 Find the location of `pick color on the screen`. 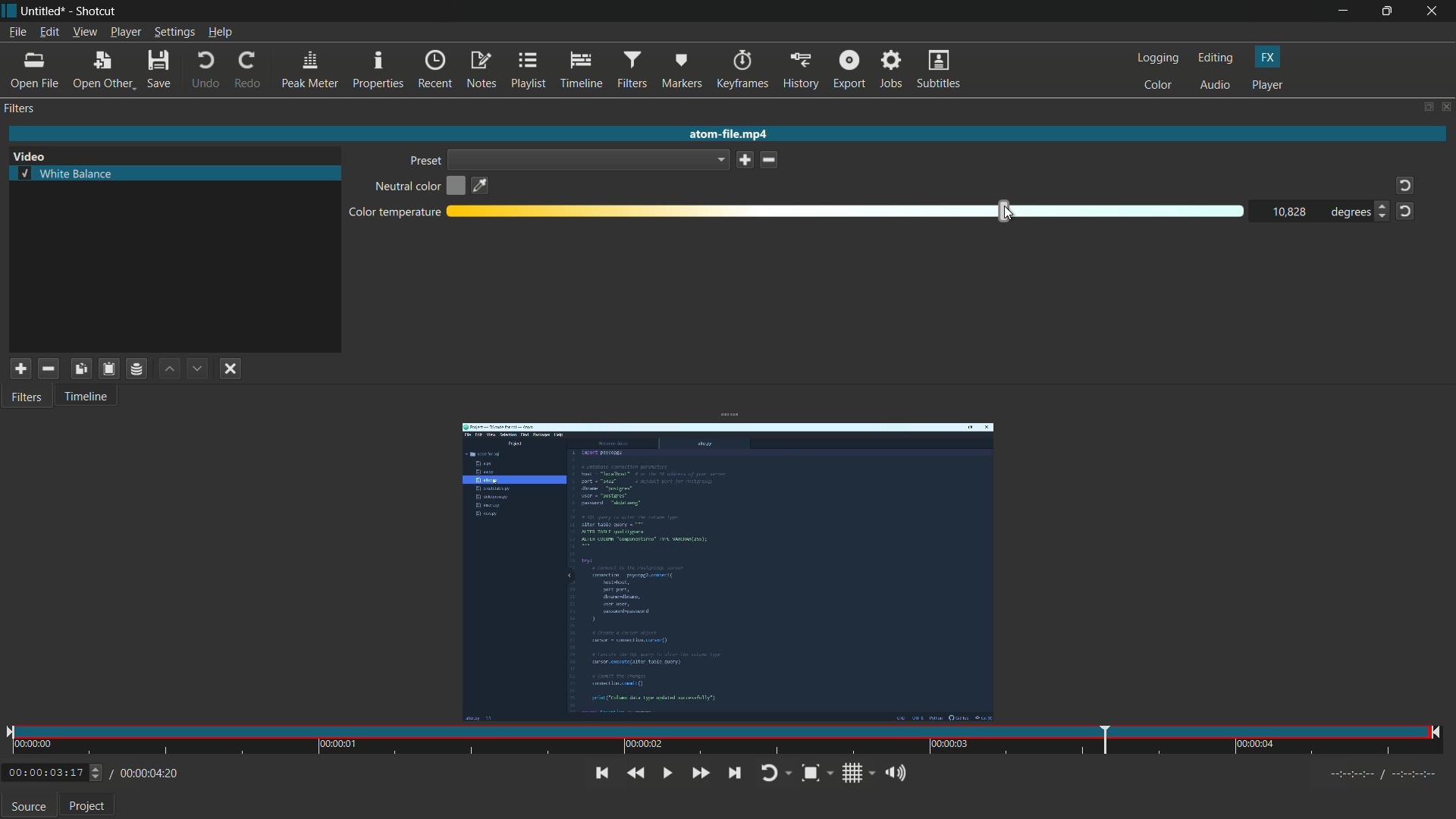

pick color on the screen is located at coordinates (481, 186).